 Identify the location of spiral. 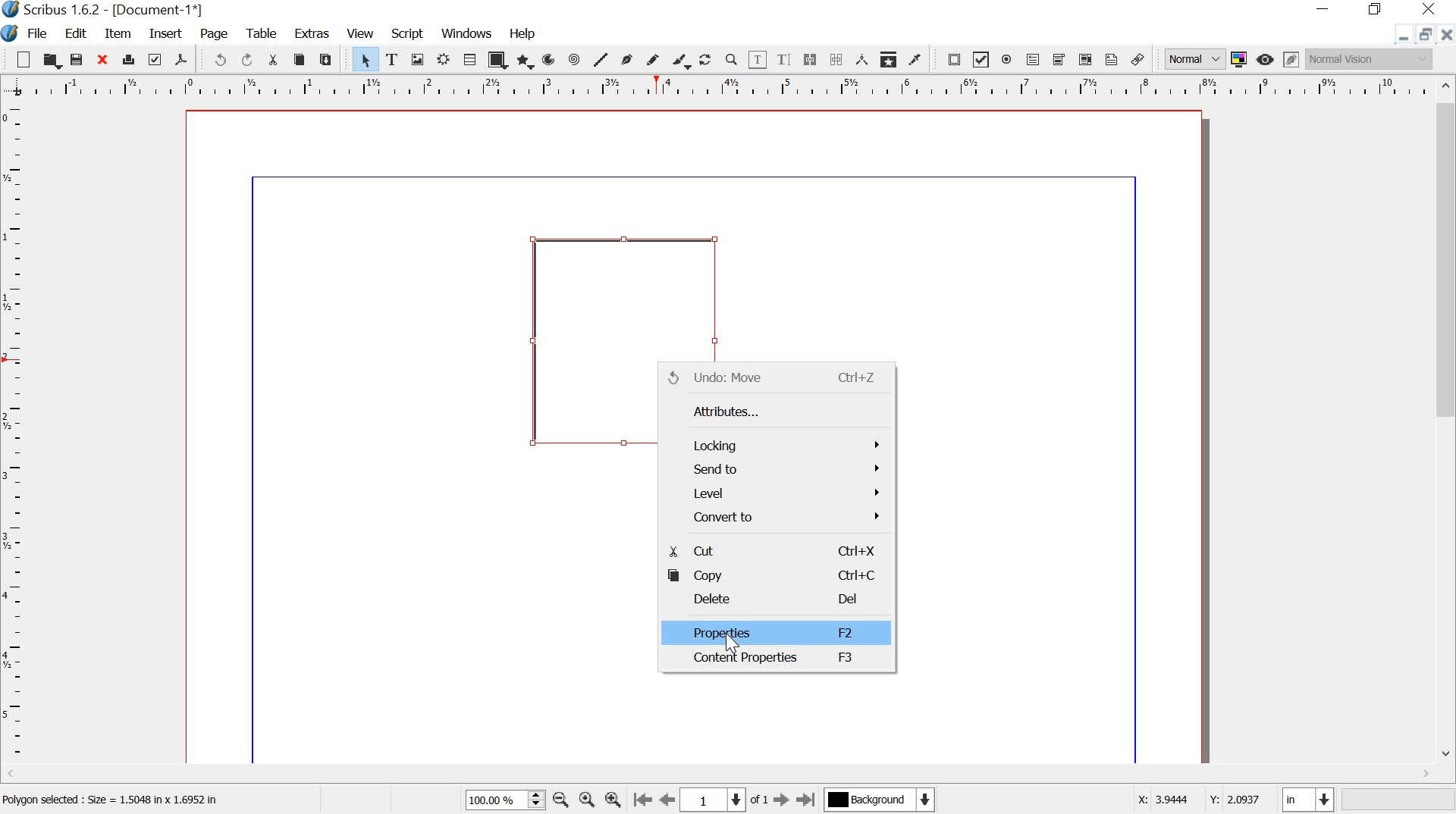
(577, 59).